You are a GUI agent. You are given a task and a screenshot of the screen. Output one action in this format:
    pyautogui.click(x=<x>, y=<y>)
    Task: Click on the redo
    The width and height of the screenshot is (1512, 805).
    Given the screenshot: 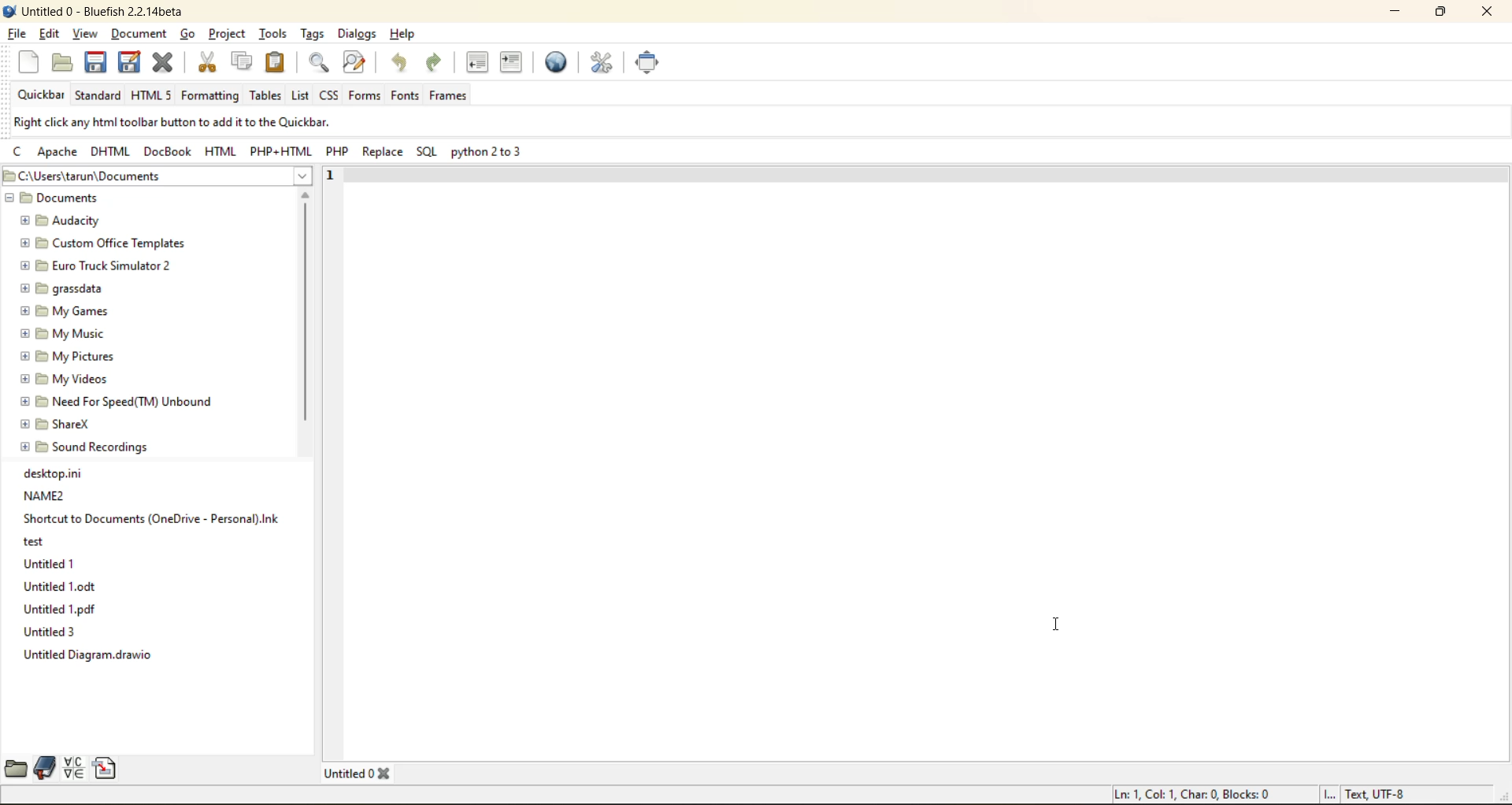 What is the action you would take?
    pyautogui.click(x=438, y=64)
    